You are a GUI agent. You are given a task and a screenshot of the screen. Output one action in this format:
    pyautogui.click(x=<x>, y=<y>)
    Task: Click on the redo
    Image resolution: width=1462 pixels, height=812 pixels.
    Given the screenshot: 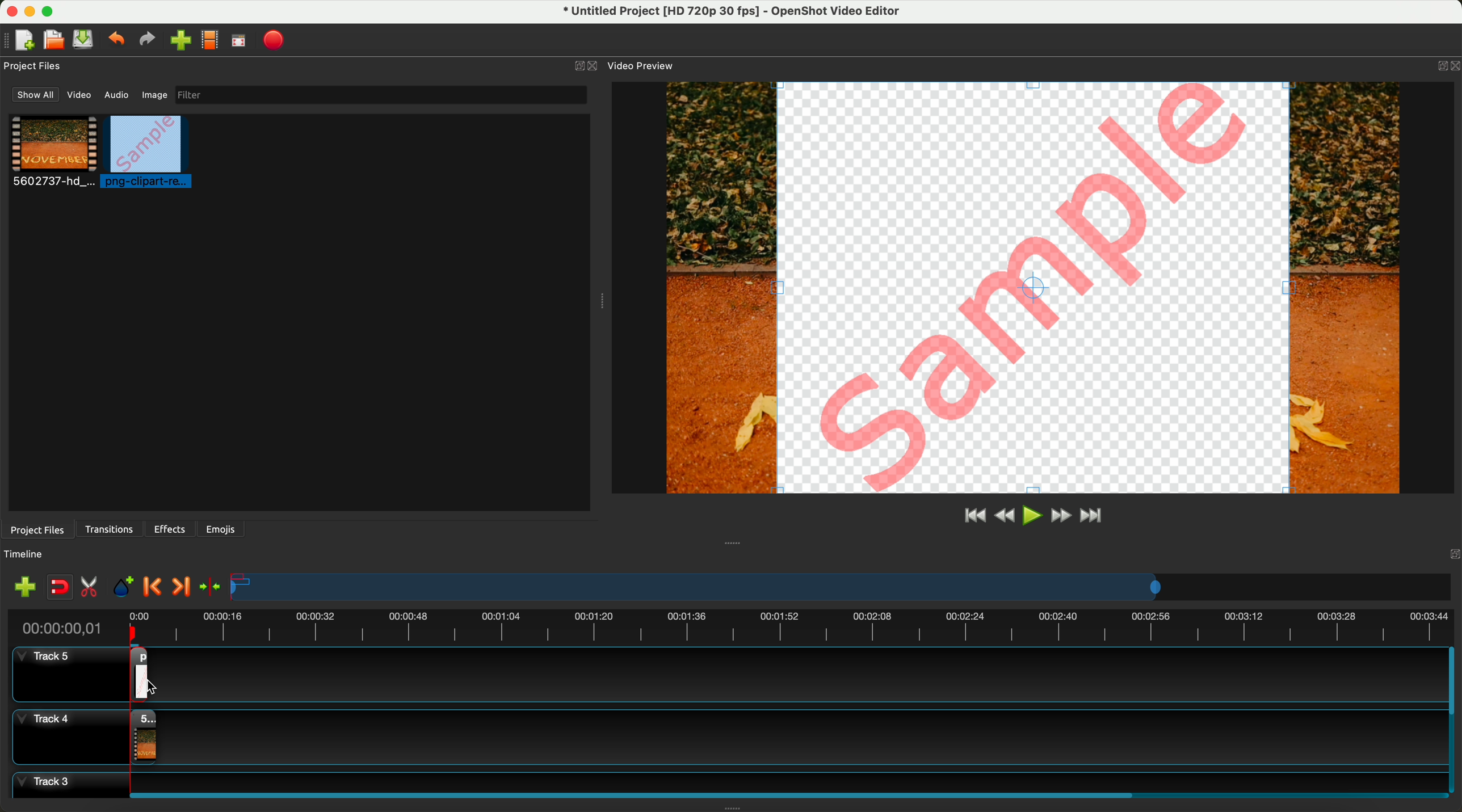 What is the action you would take?
    pyautogui.click(x=150, y=41)
    